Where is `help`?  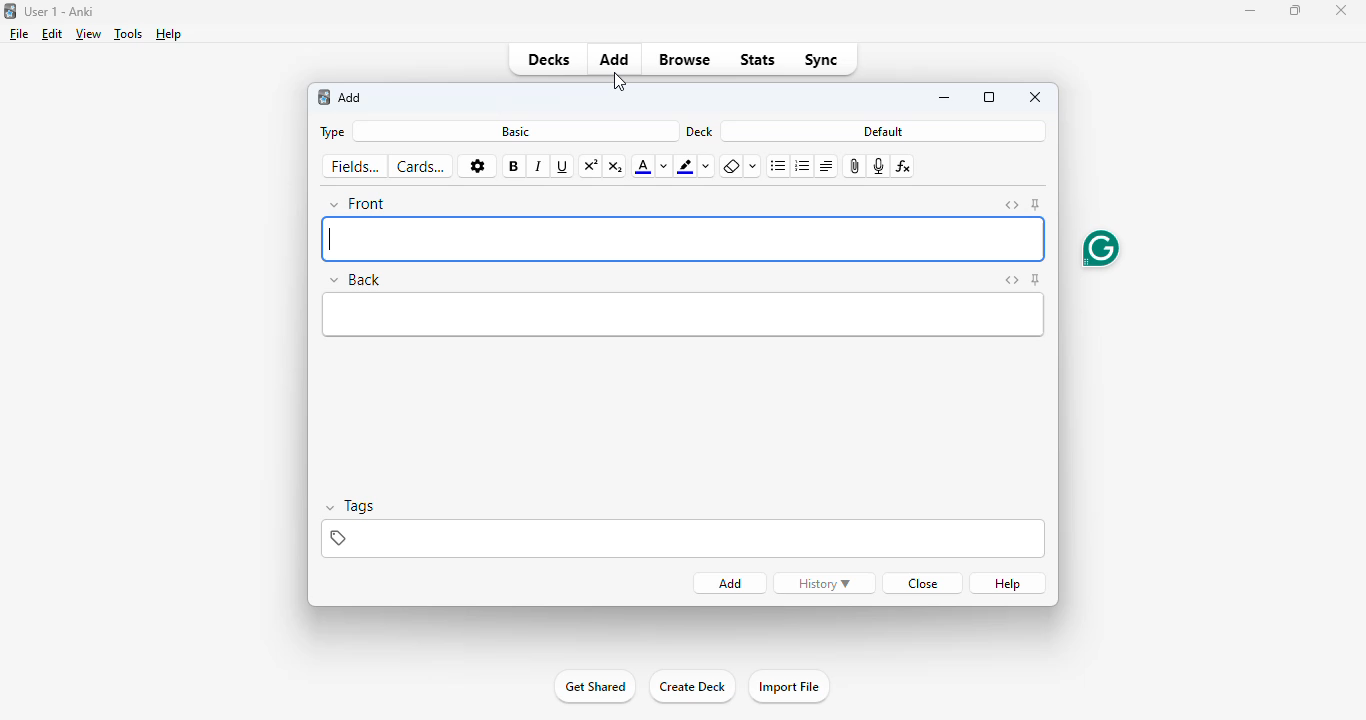 help is located at coordinates (1009, 583).